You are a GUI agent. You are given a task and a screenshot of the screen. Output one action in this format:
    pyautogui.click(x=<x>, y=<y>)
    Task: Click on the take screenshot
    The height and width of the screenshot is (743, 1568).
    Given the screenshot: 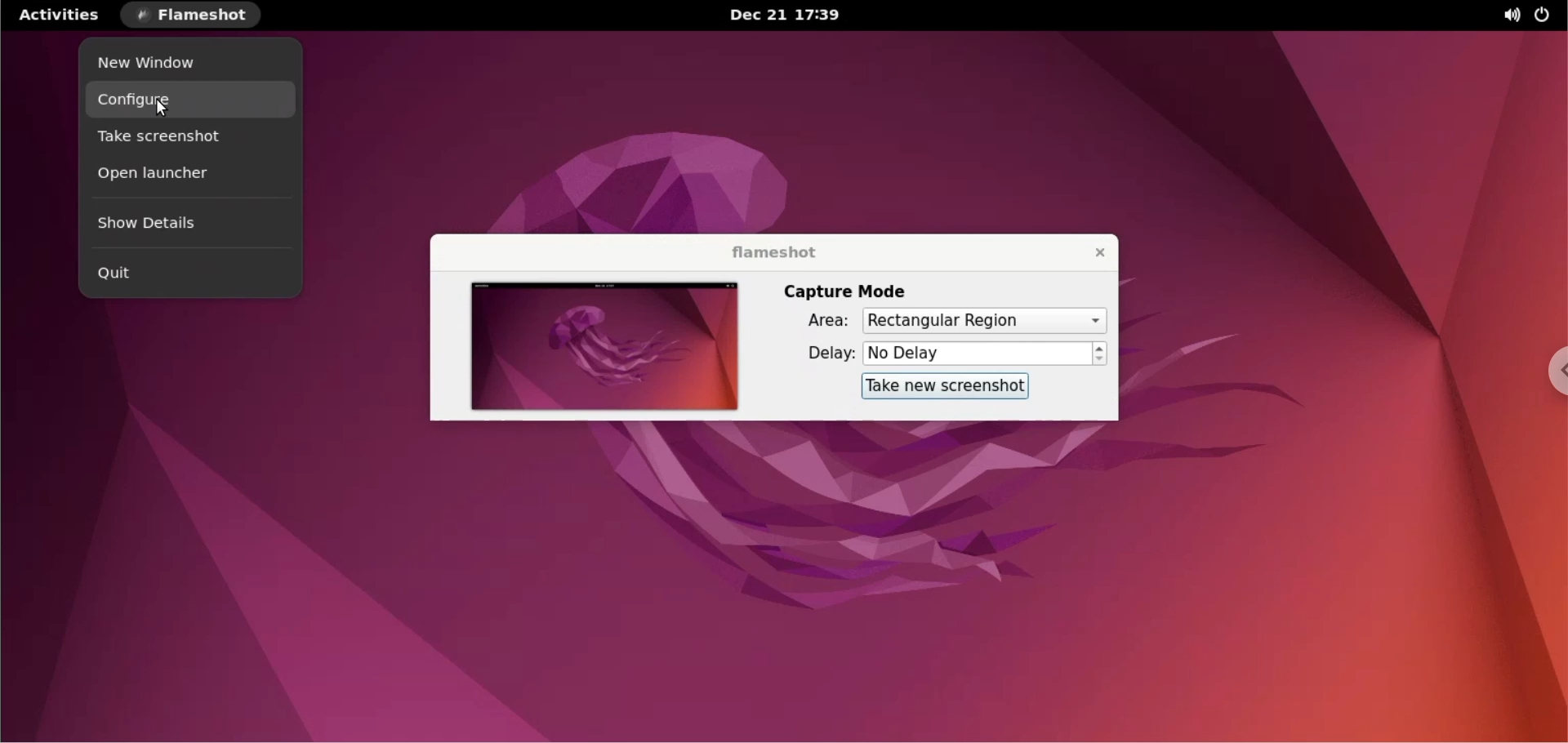 What is the action you would take?
    pyautogui.click(x=190, y=140)
    